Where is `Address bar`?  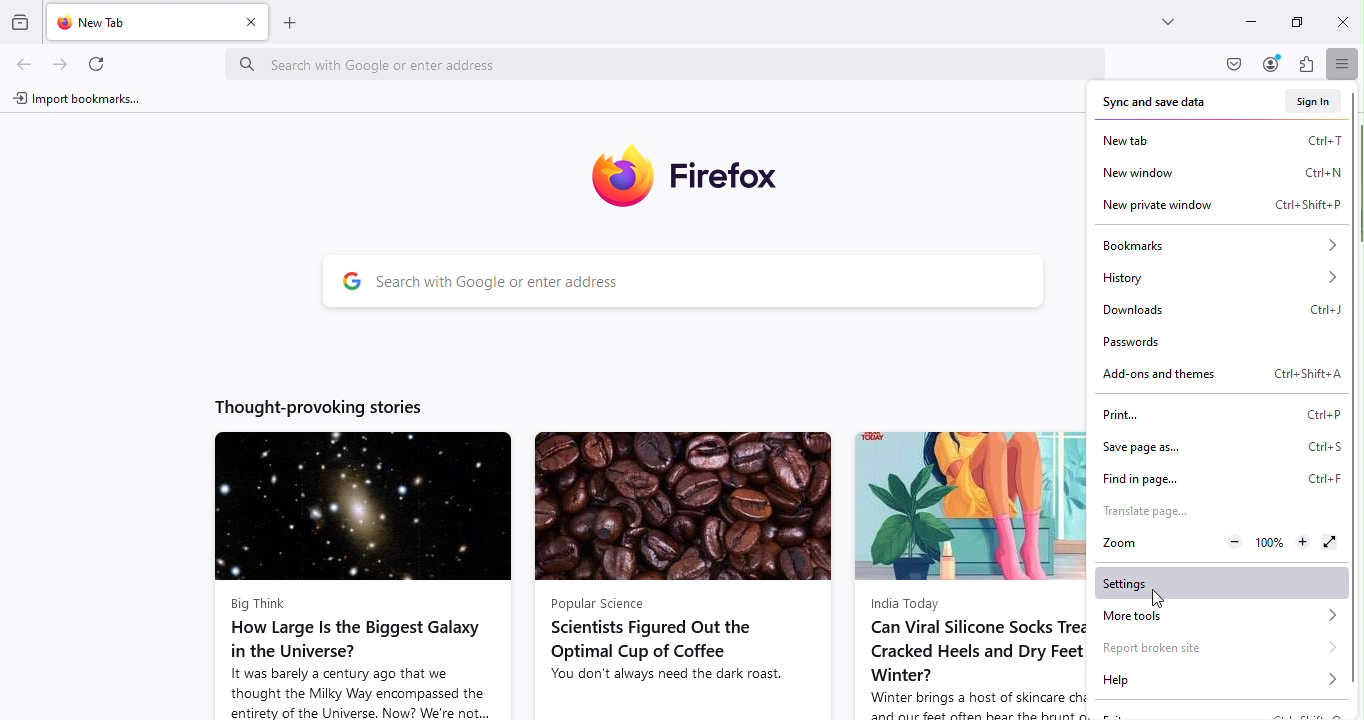
Address bar is located at coordinates (661, 65).